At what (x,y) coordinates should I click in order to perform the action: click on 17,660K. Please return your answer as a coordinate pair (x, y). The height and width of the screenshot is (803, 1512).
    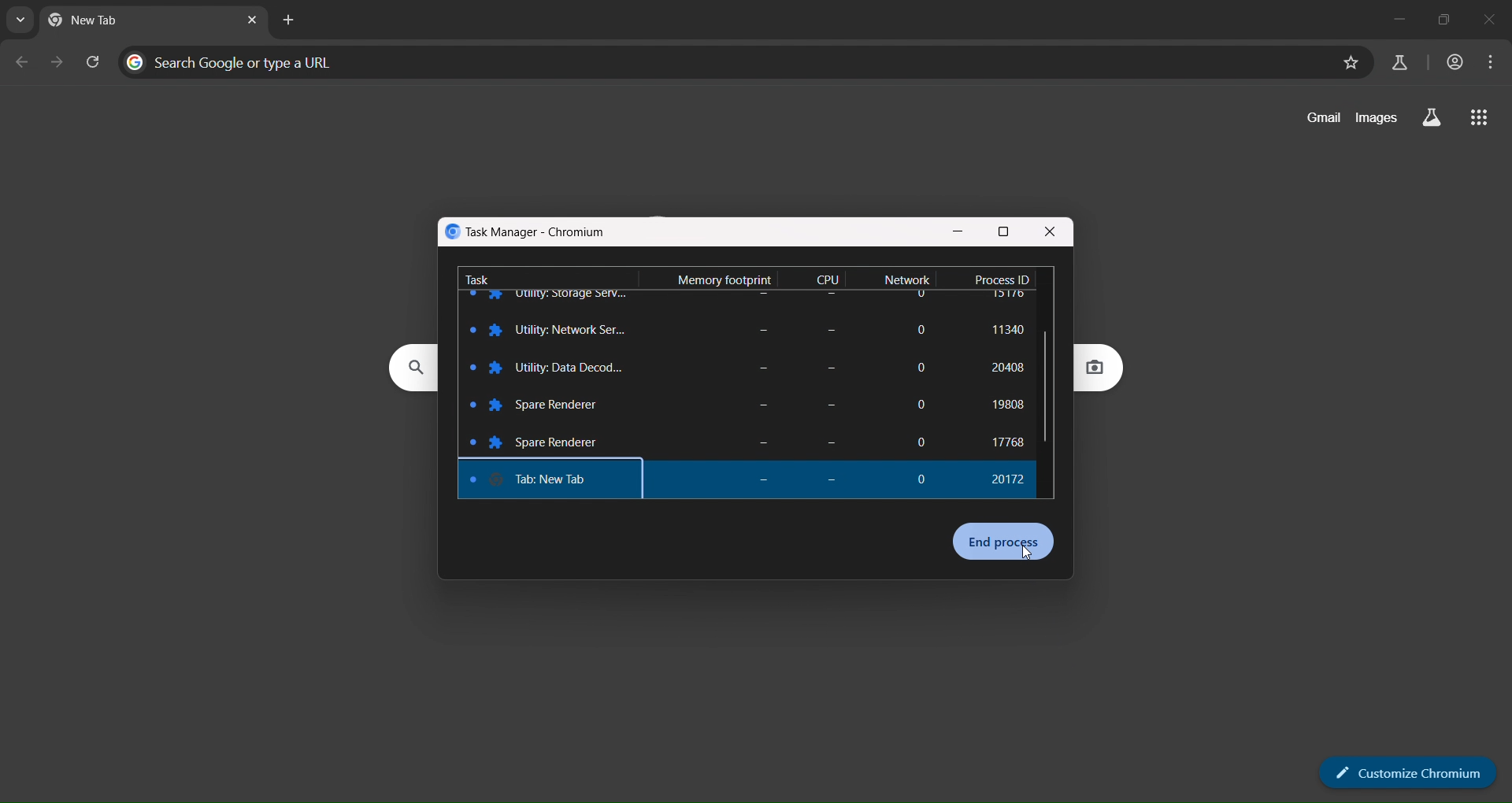
    Looking at the image, I should click on (746, 369).